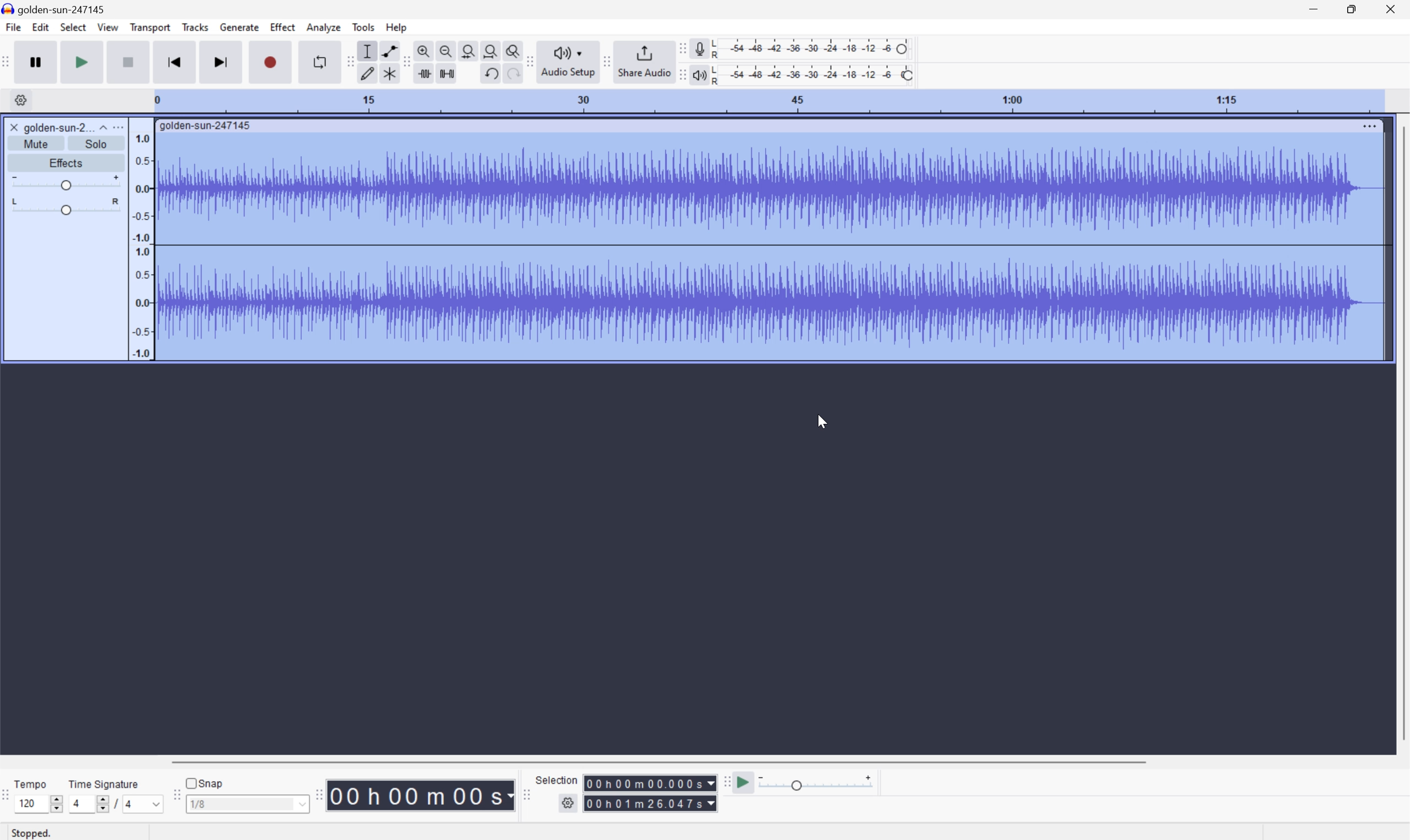 Image resolution: width=1410 pixels, height=840 pixels. Describe the element at coordinates (196, 26) in the screenshot. I see `Tracks` at that location.